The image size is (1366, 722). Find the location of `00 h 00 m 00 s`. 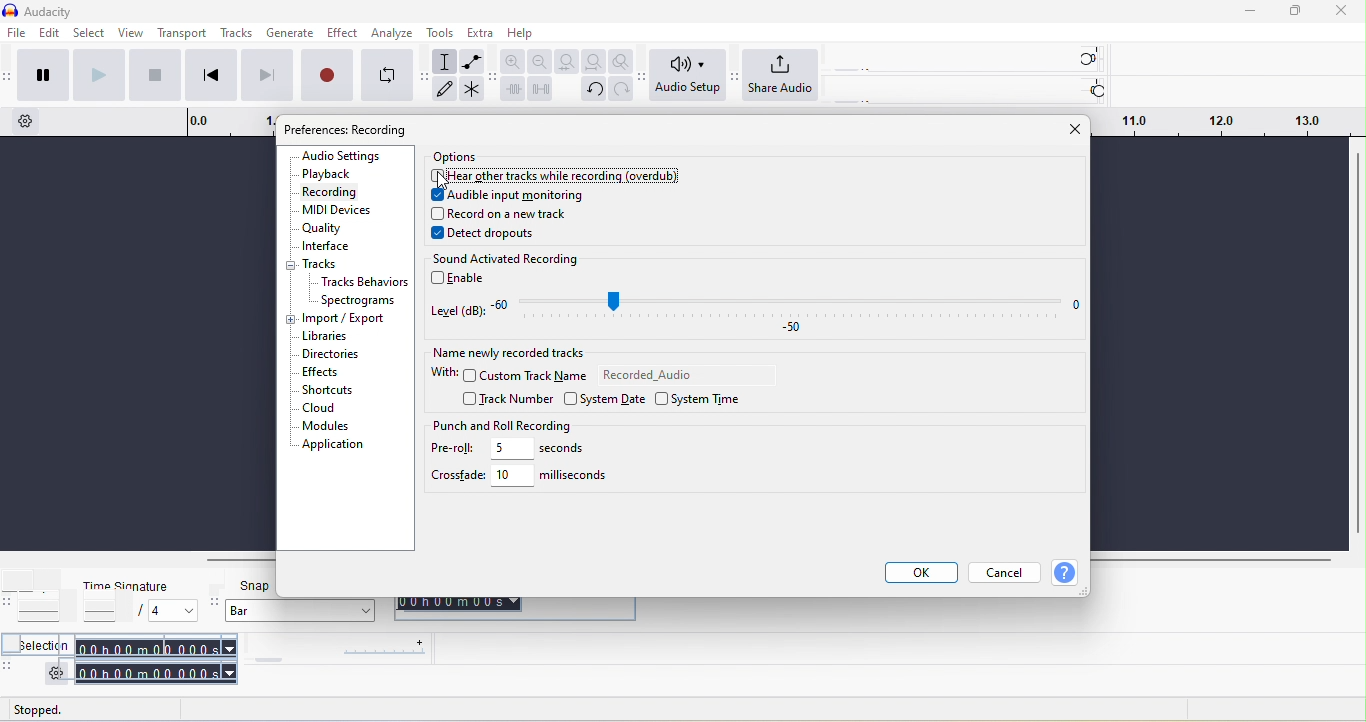

00 h 00 m 00 s is located at coordinates (156, 660).